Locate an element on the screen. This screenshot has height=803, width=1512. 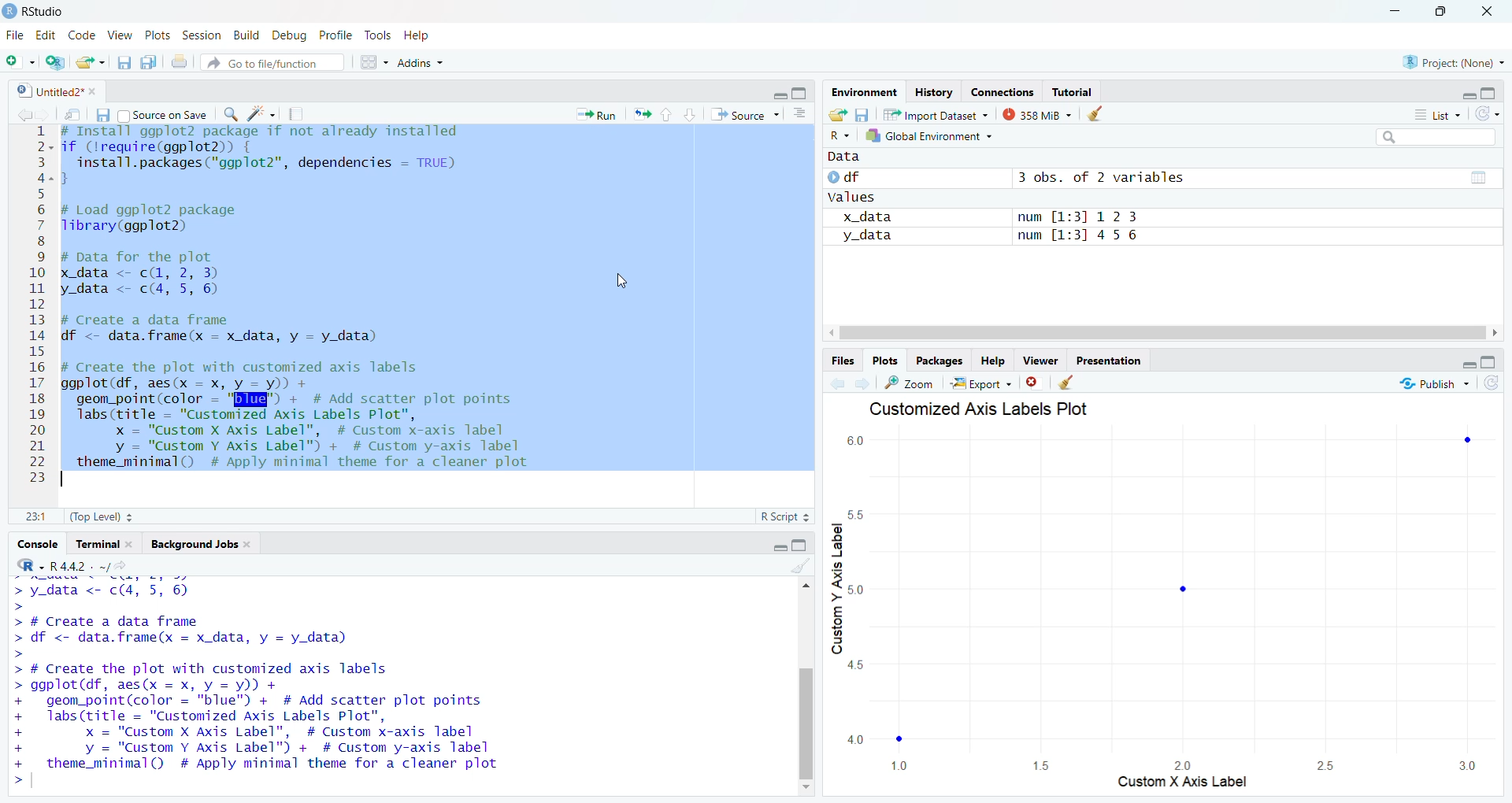
Background Jobs is located at coordinates (201, 545).